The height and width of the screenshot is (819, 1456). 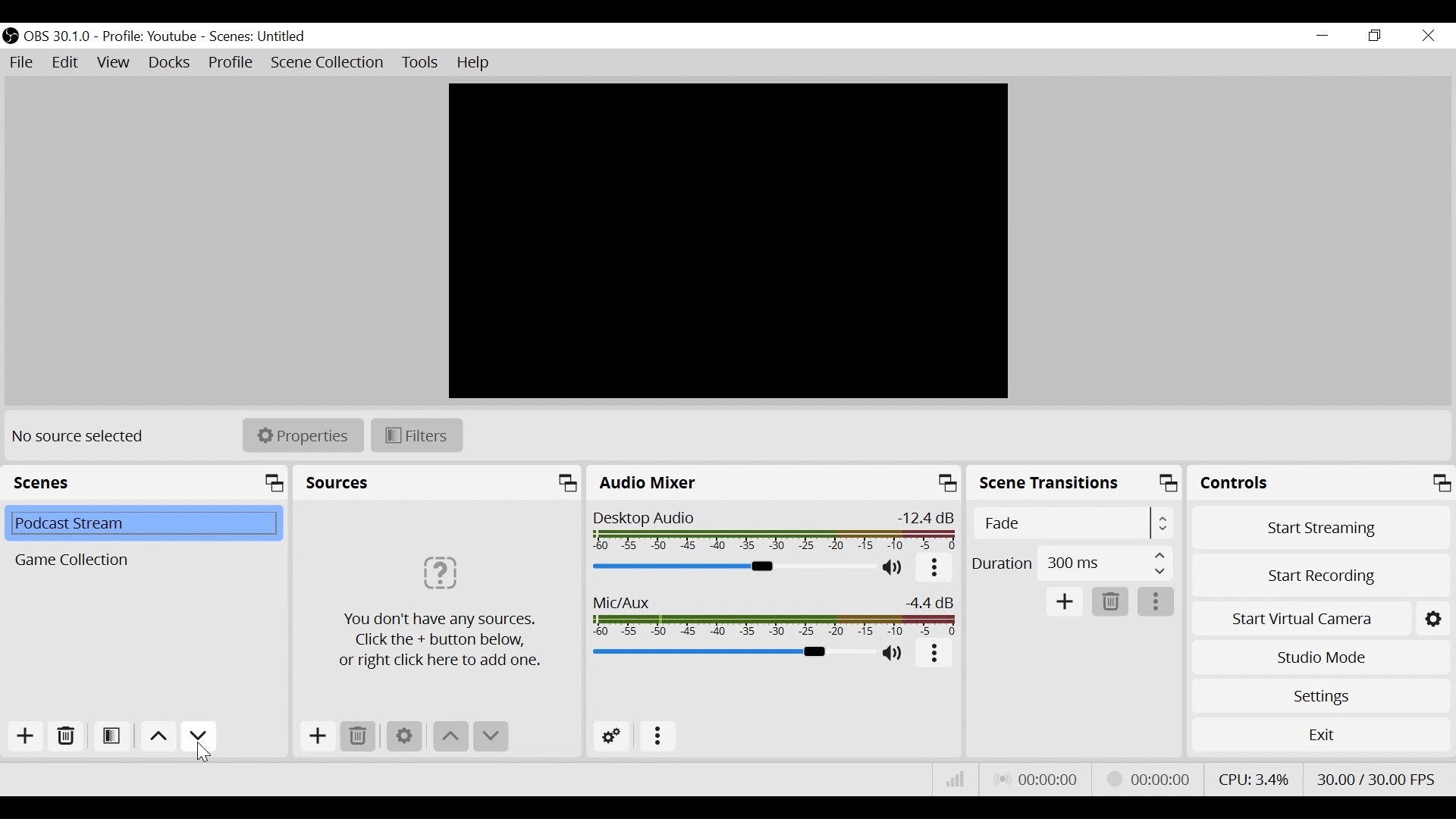 I want to click on more options, so click(x=934, y=570).